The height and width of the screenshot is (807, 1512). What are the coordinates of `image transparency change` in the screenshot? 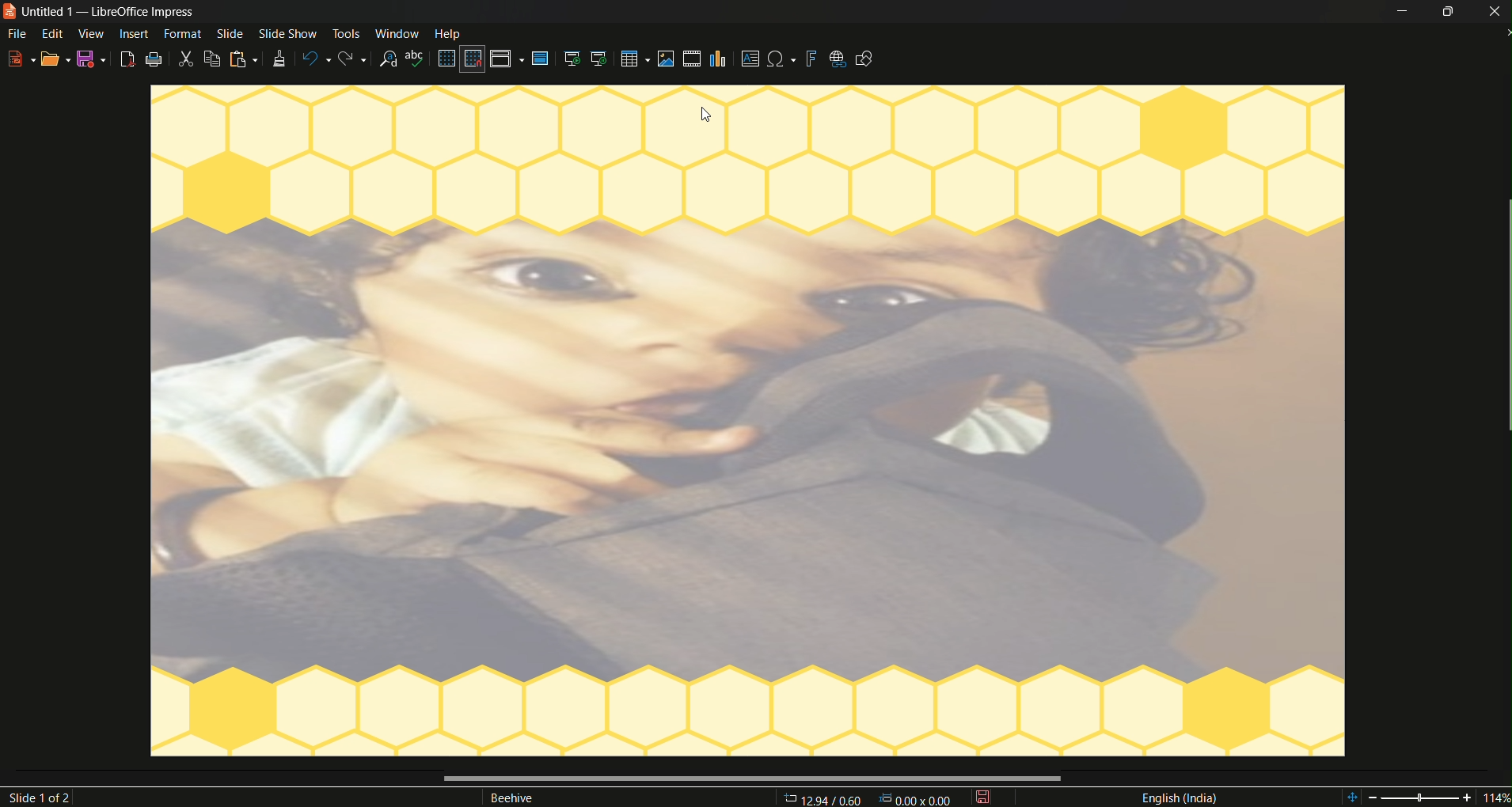 It's located at (750, 449).